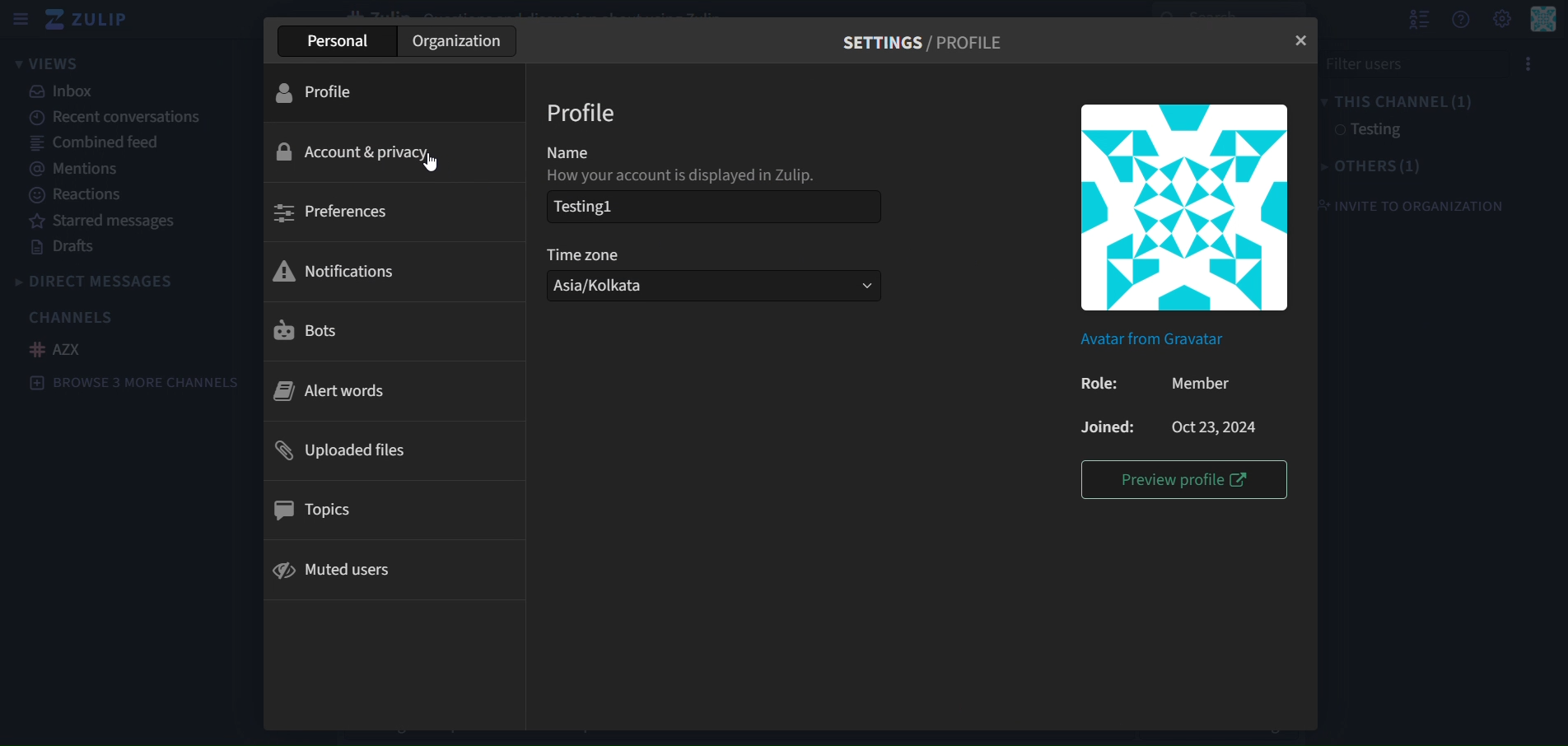 This screenshot has height=746, width=1568. Describe the element at coordinates (72, 316) in the screenshot. I see `channels` at that location.